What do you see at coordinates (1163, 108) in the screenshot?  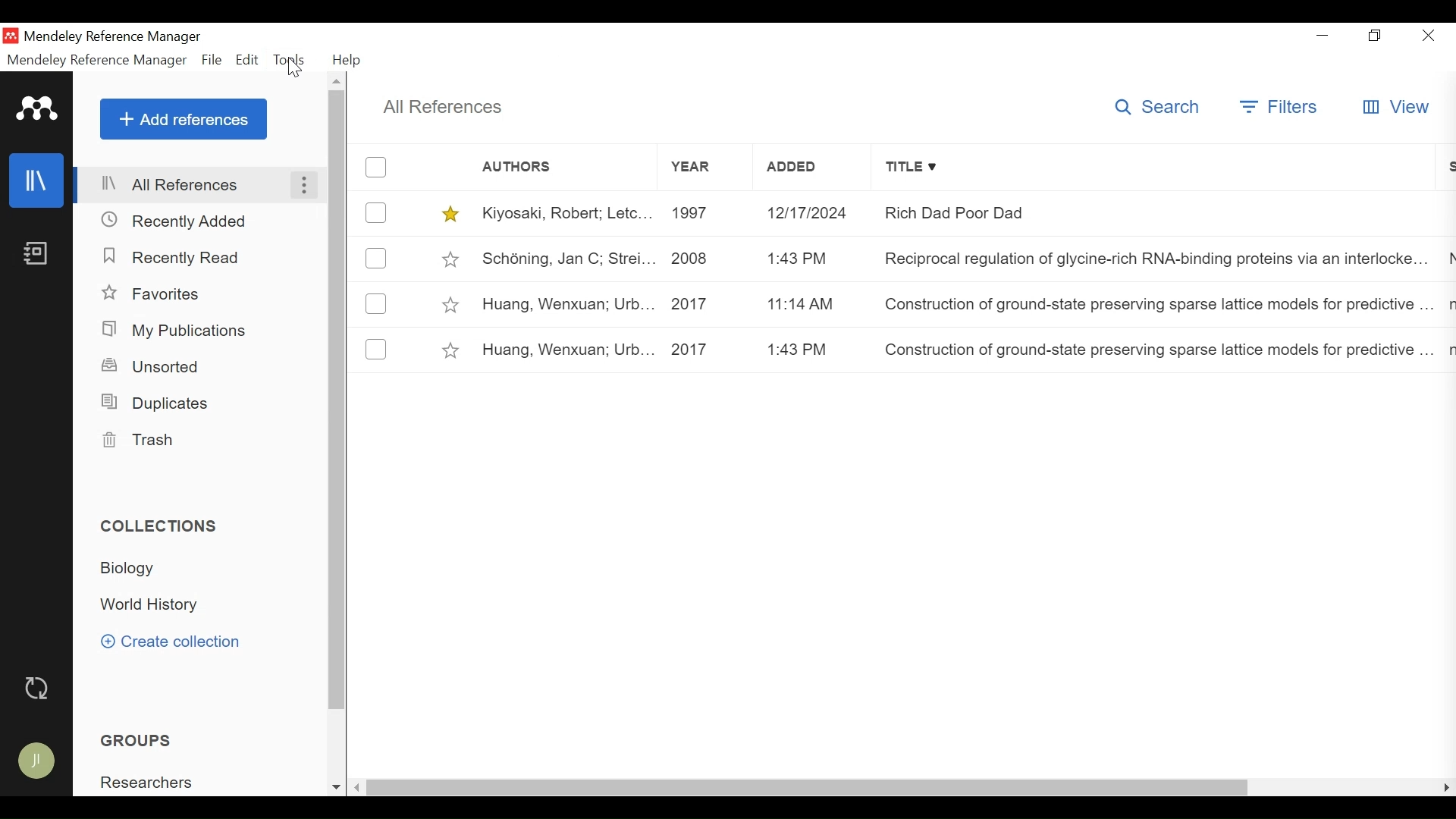 I see `Searc` at bounding box center [1163, 108].